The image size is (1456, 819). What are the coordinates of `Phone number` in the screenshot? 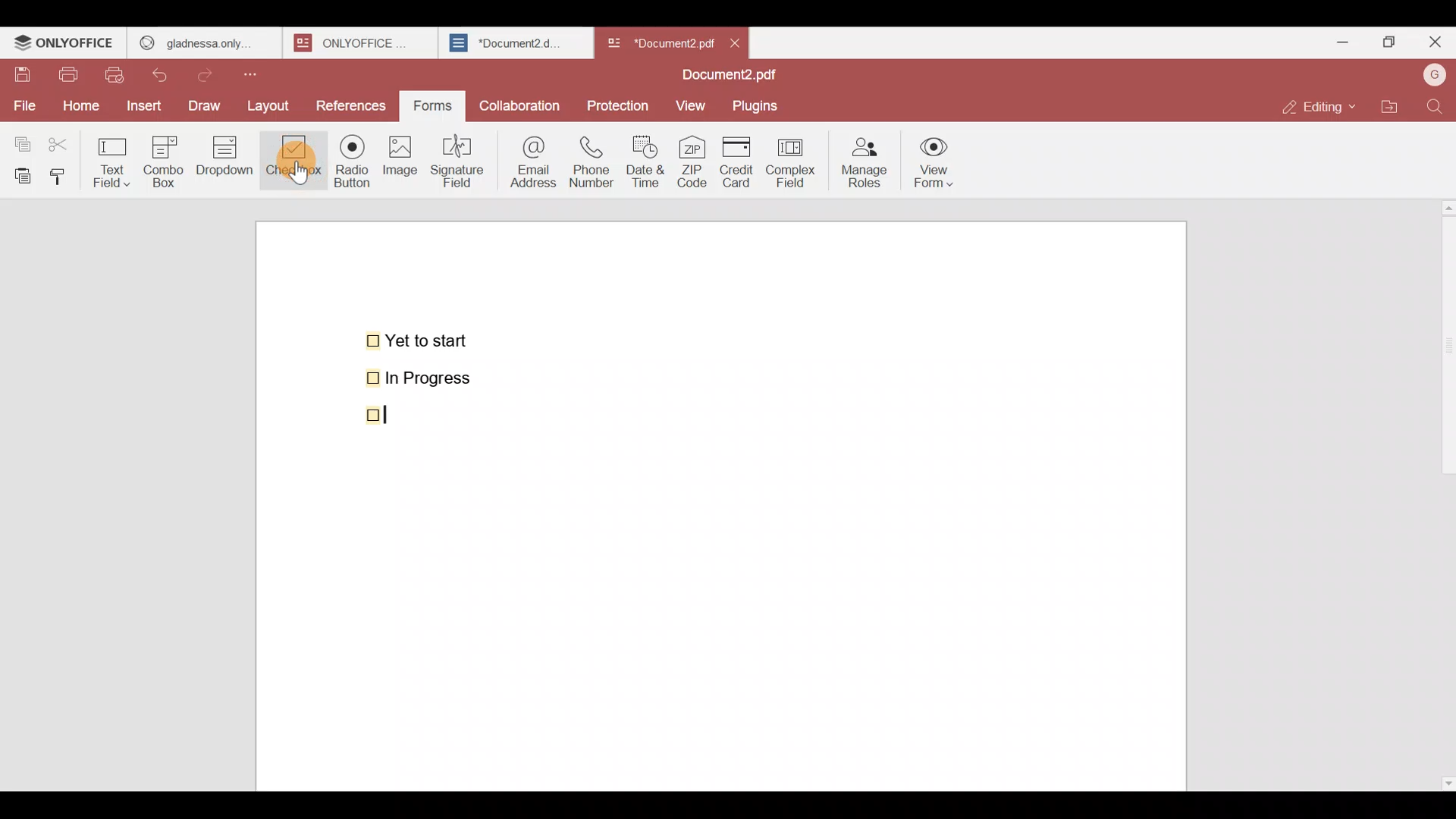 It's located at (593, 162).